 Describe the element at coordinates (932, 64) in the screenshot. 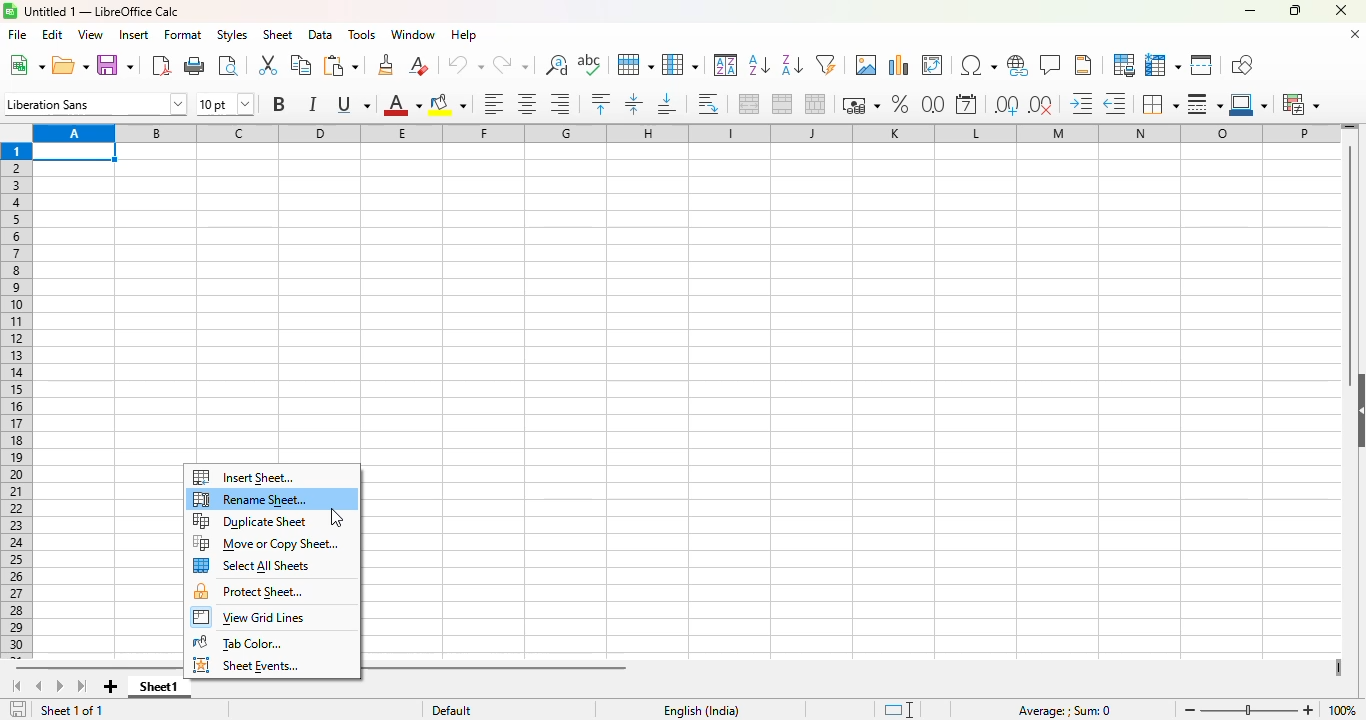

I see `insert or edit pivot table` at that location.